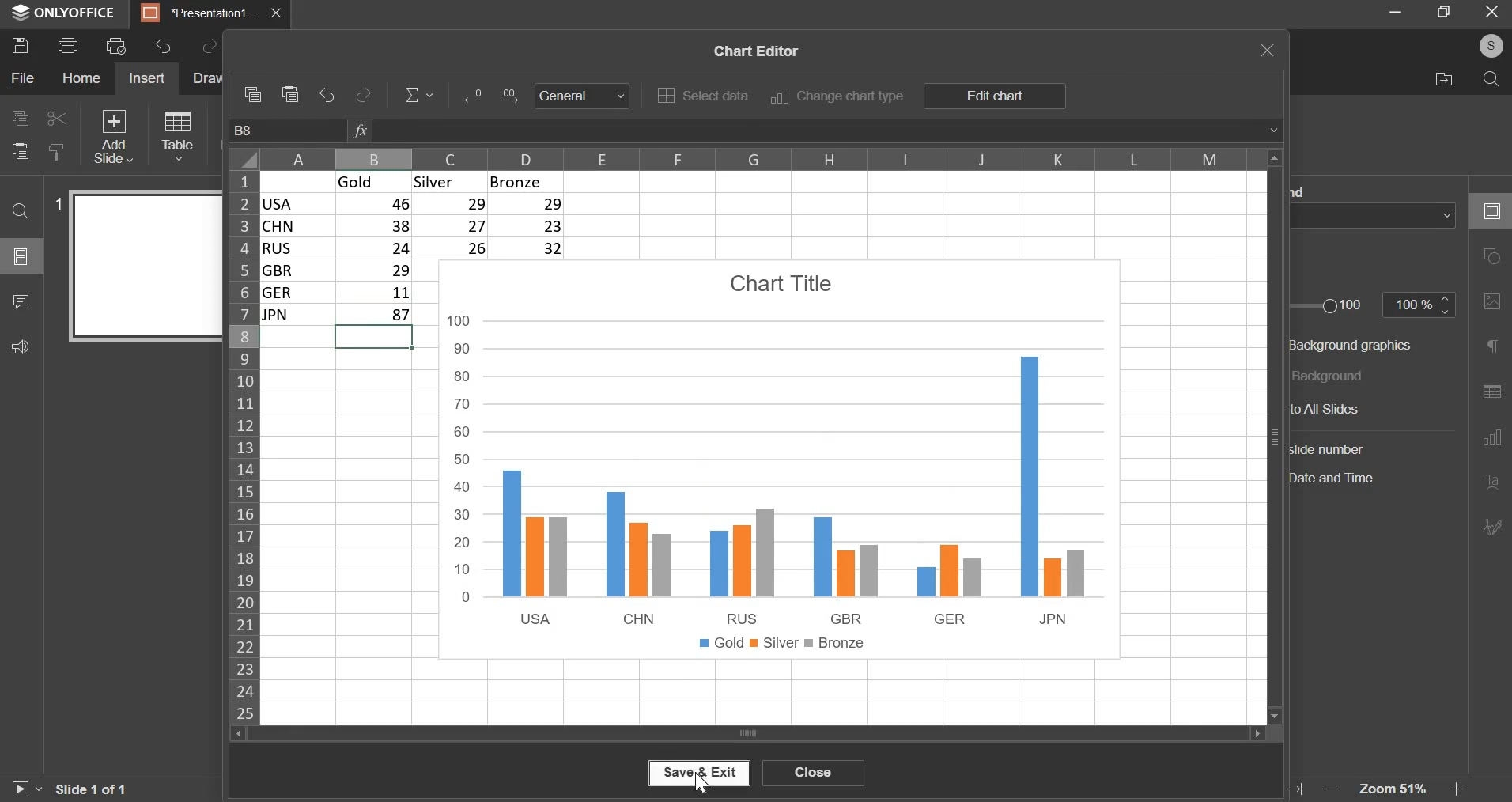 Image resolution: width=1512 pixels, height=802 pixels. I want to click on text art settings, so click(1490, 483).